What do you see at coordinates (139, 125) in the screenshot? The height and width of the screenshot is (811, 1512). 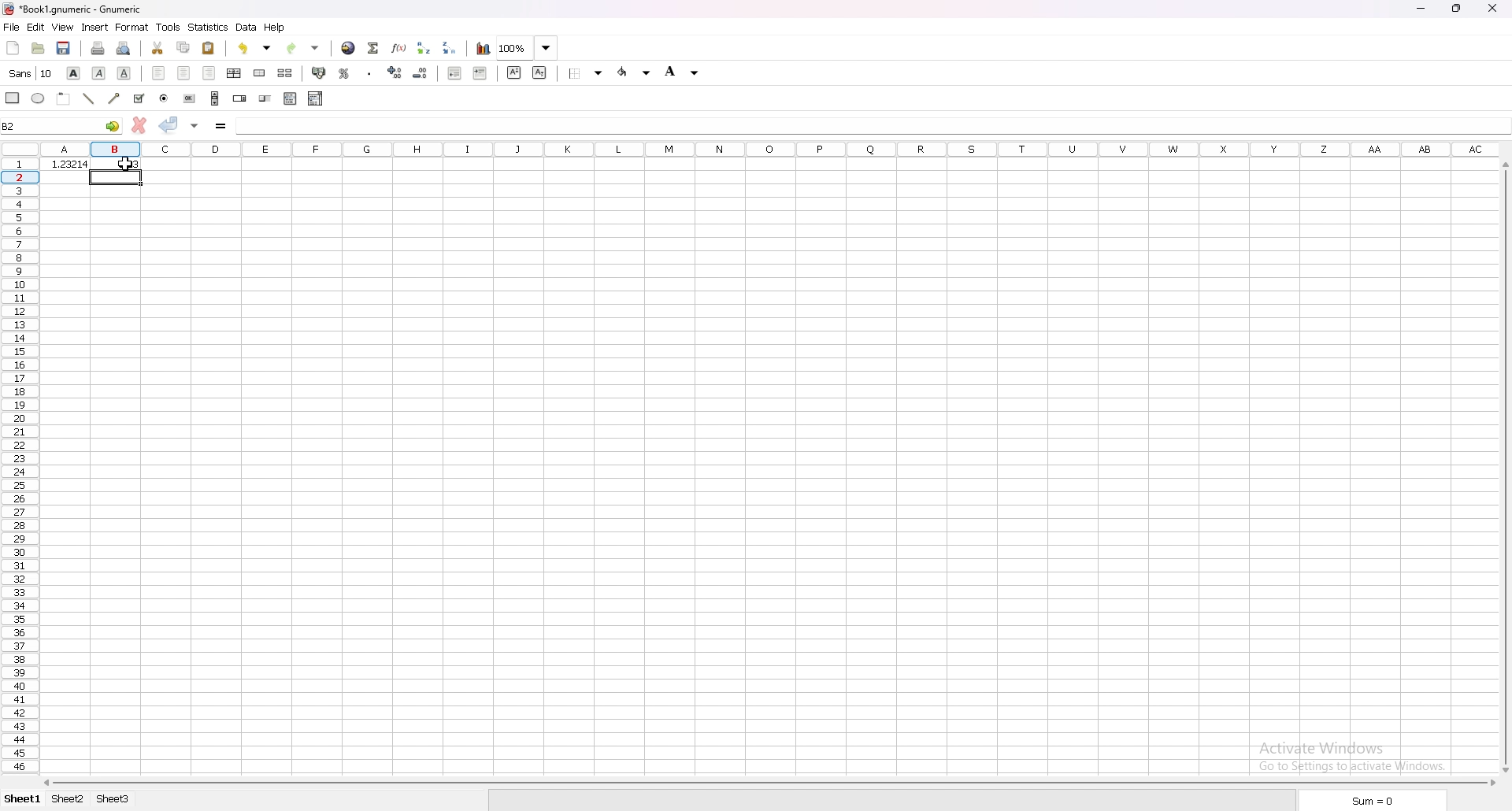 I see `cancel changes` at bounding box center [139, 125].